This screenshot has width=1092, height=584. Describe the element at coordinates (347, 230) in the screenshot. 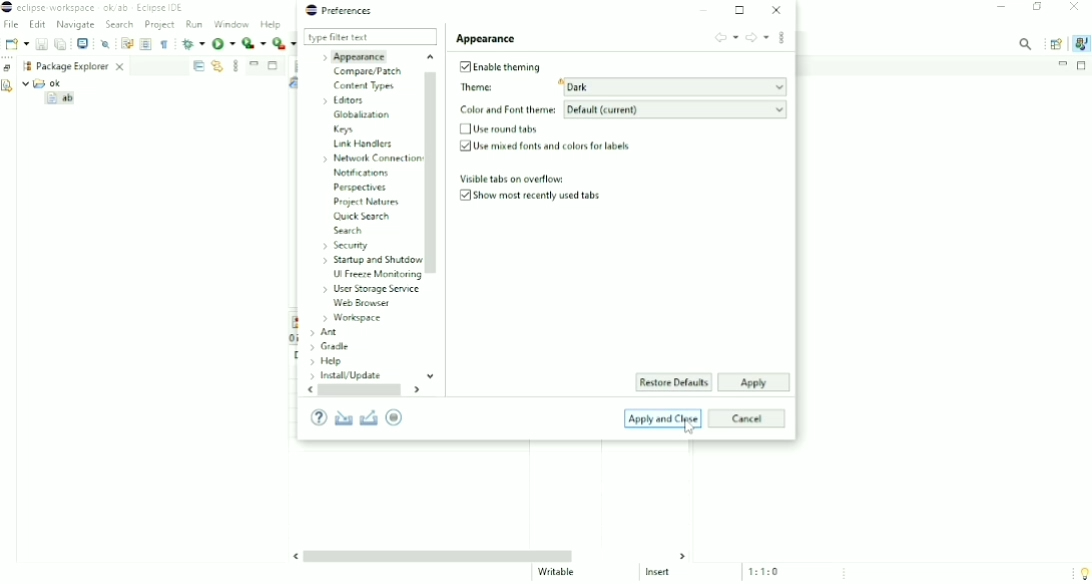

I see `Search` at that location.